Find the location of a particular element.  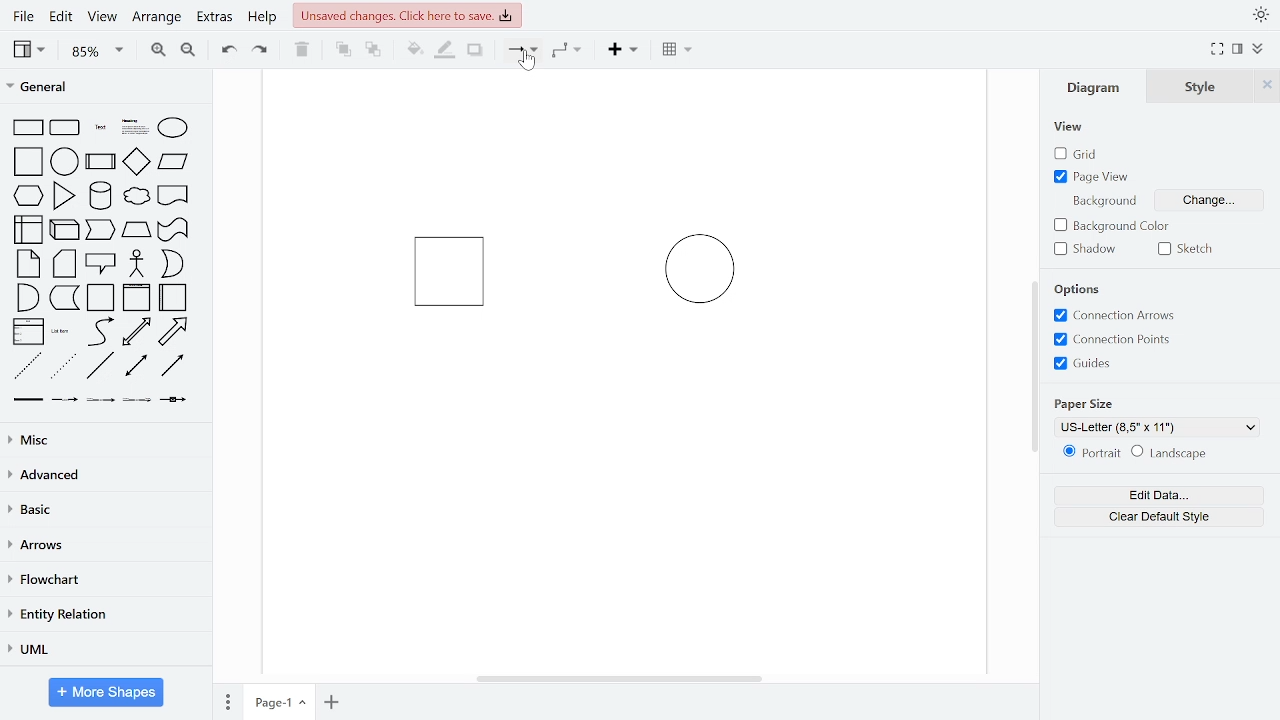

change background is located at coordinates (1206, 203).